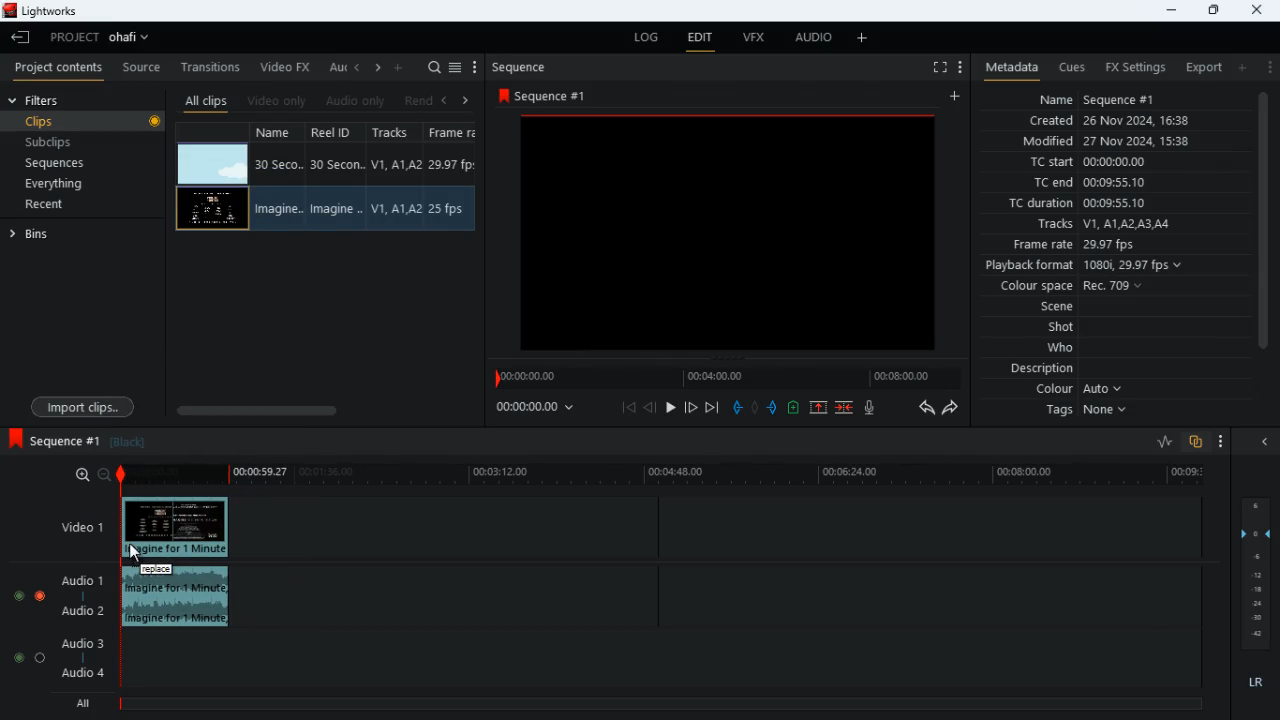 The image size is (1280, 720). I want to click on preview , so click(726, 230).